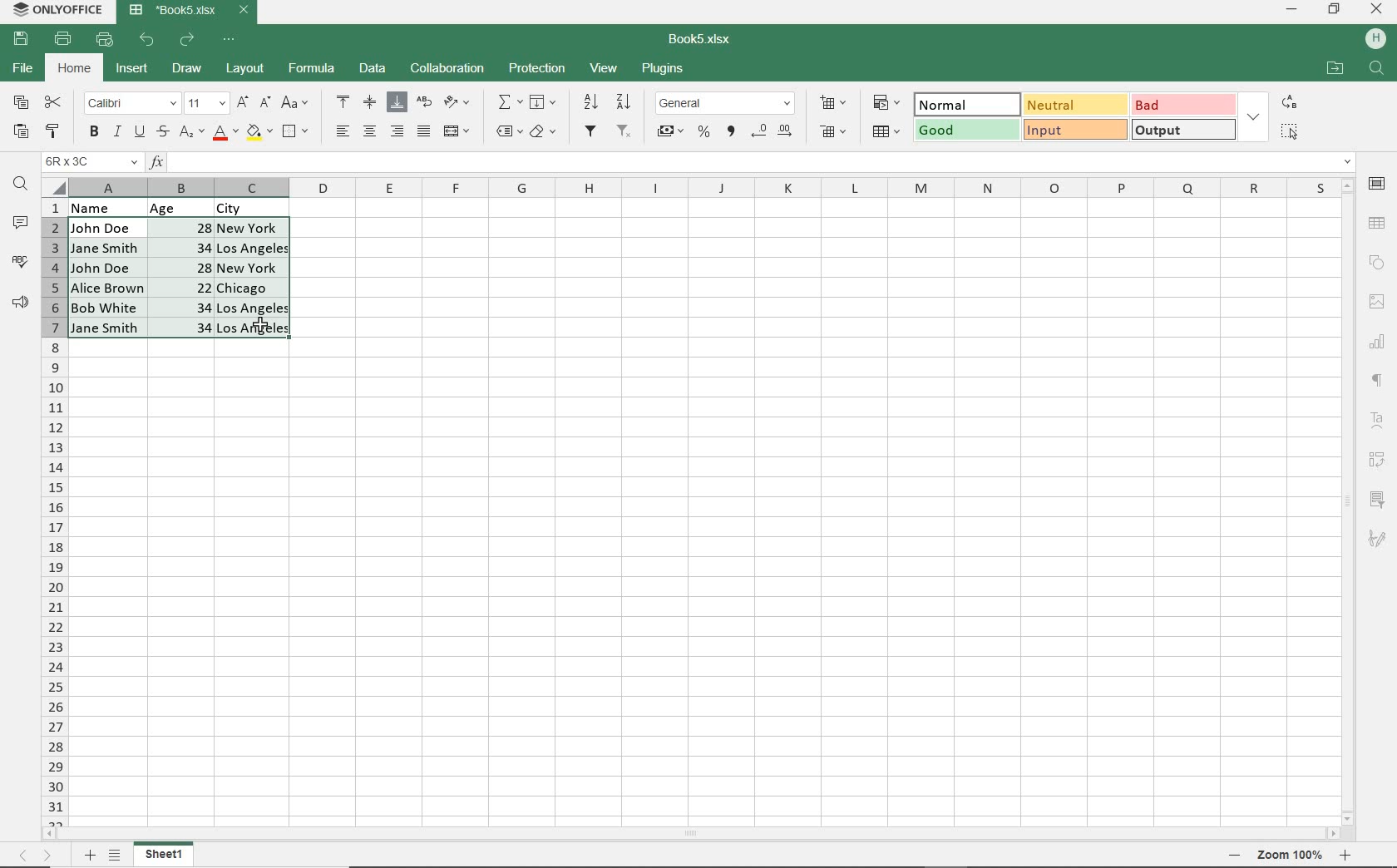 The image size is (1397, 868). Describe the element at coordinates (605, 67) in the screenshot. I see `VIEW` at that location.